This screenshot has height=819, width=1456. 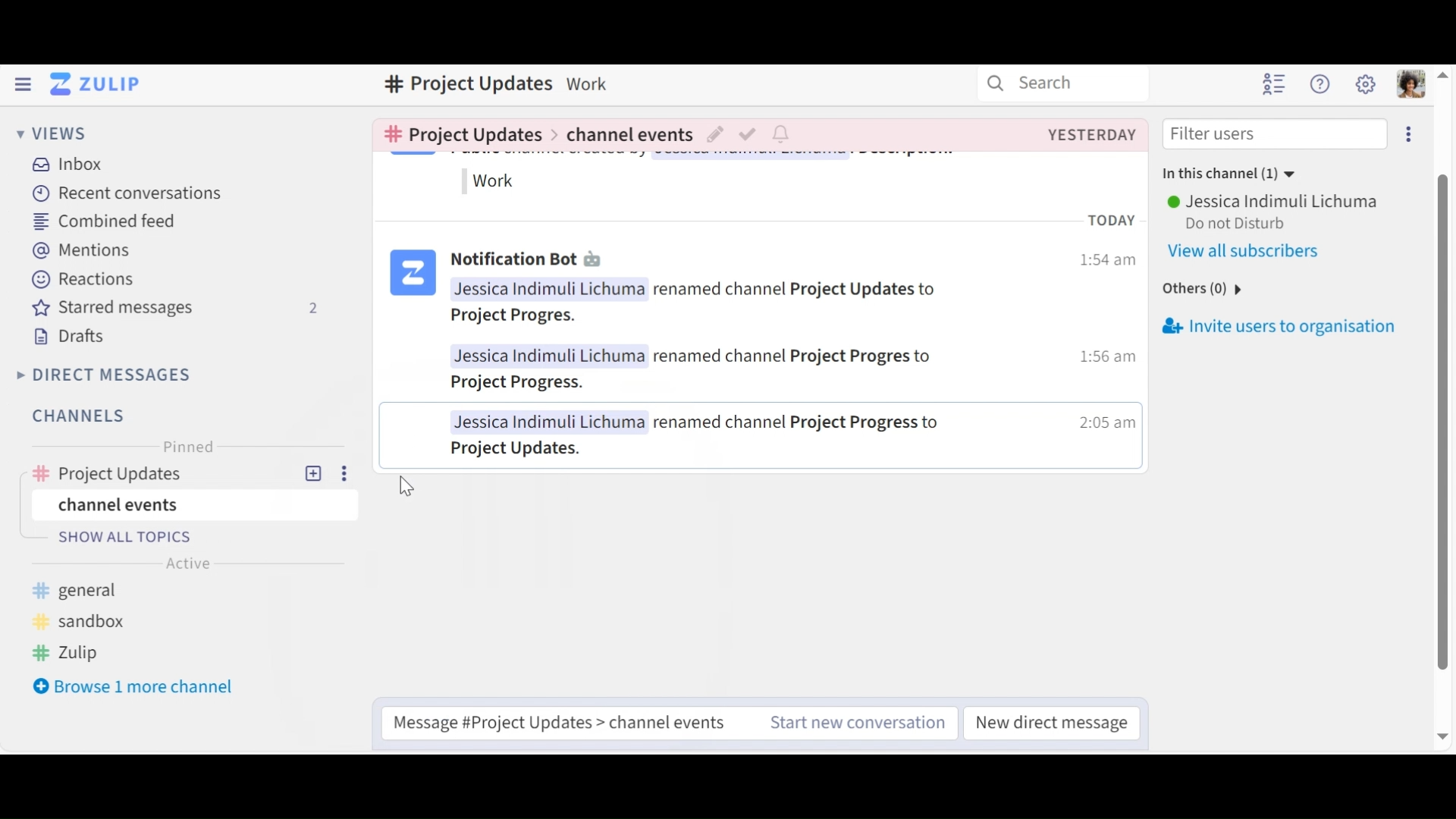 What do you see at coordinates (750, 136) in the screenshot?
I see `Mark as resolved` at bounding box center [750, 136].